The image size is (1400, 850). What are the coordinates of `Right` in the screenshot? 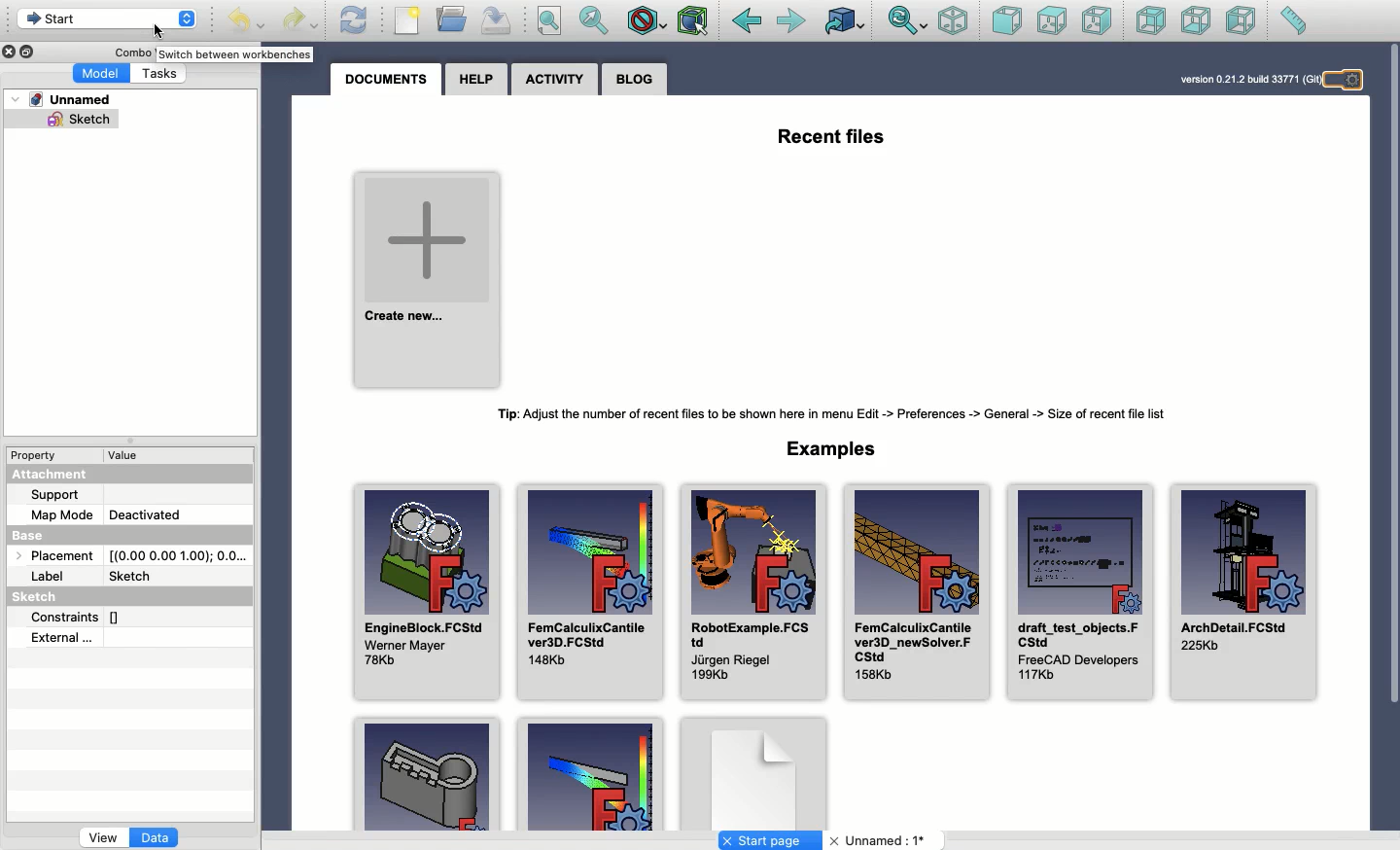 It's located at (1096, 20).